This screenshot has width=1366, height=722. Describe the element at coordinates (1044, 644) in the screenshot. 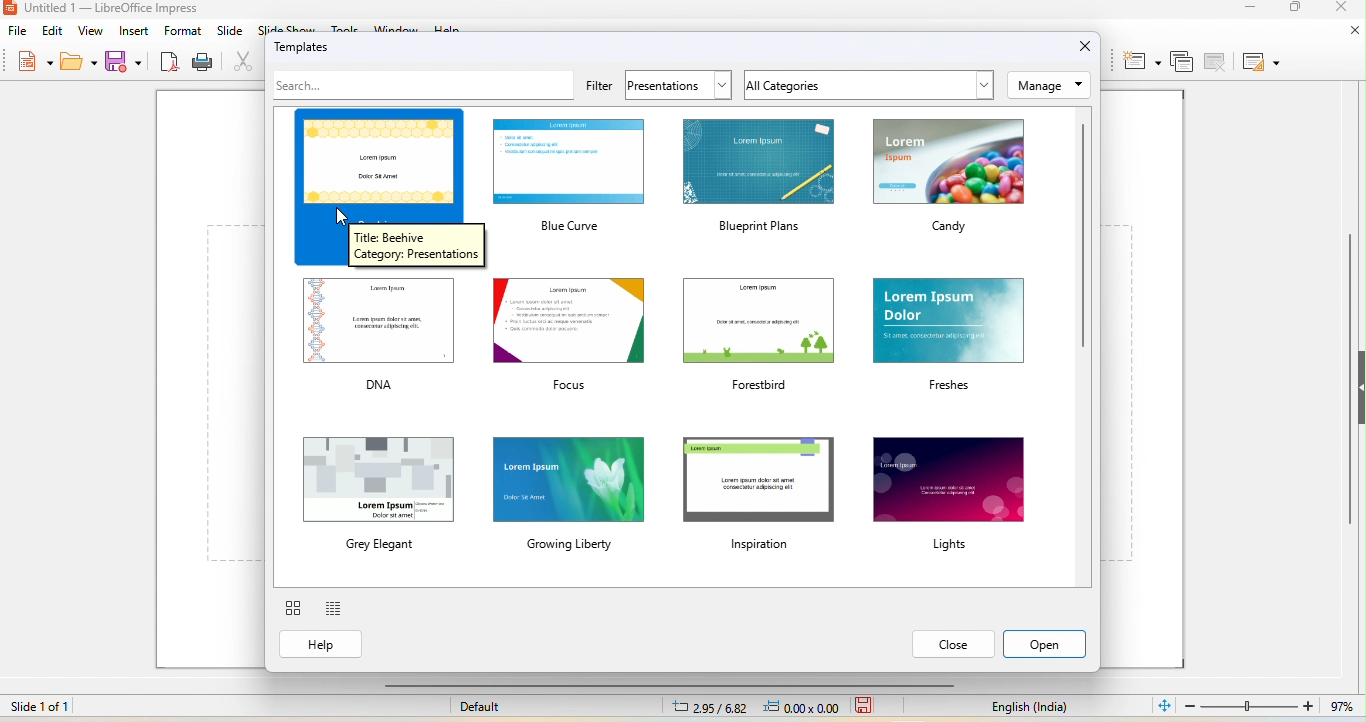

I see `open` at that location.